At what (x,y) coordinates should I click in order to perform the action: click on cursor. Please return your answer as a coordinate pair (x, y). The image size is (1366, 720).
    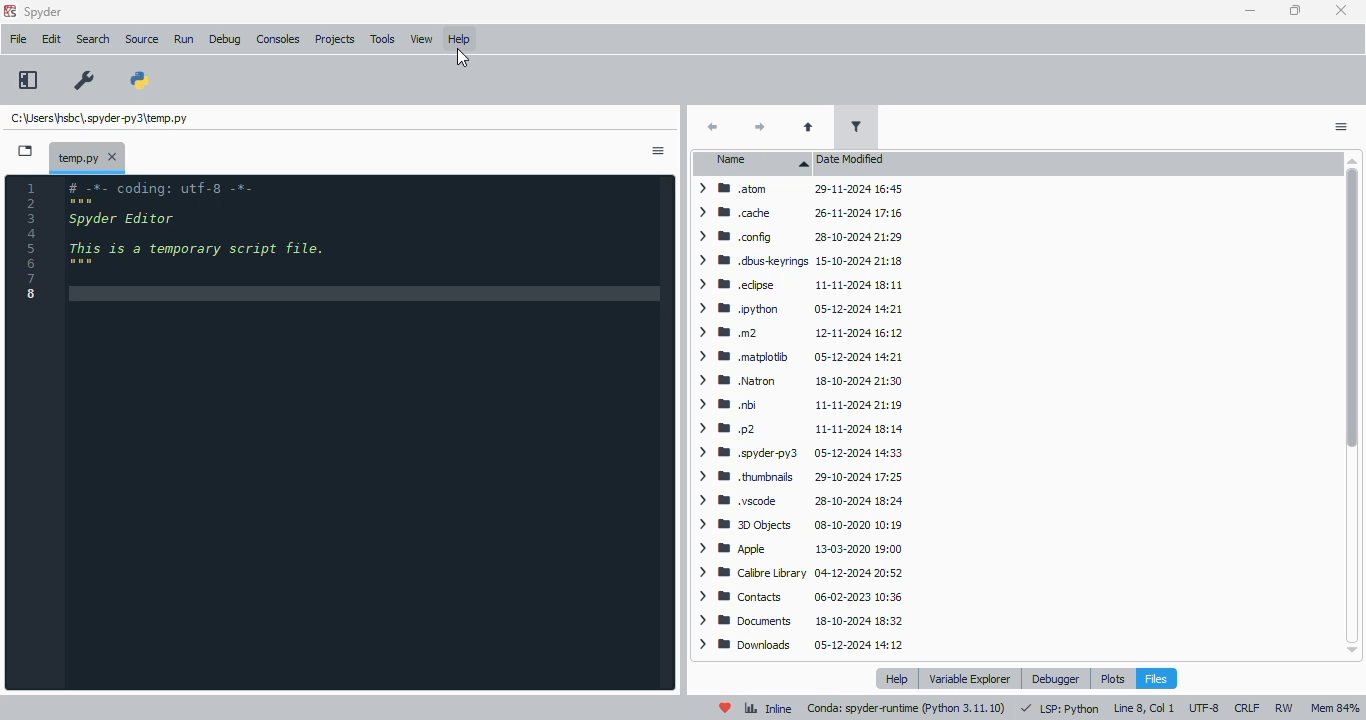
    Looking at the image, I should click on (463, 59).